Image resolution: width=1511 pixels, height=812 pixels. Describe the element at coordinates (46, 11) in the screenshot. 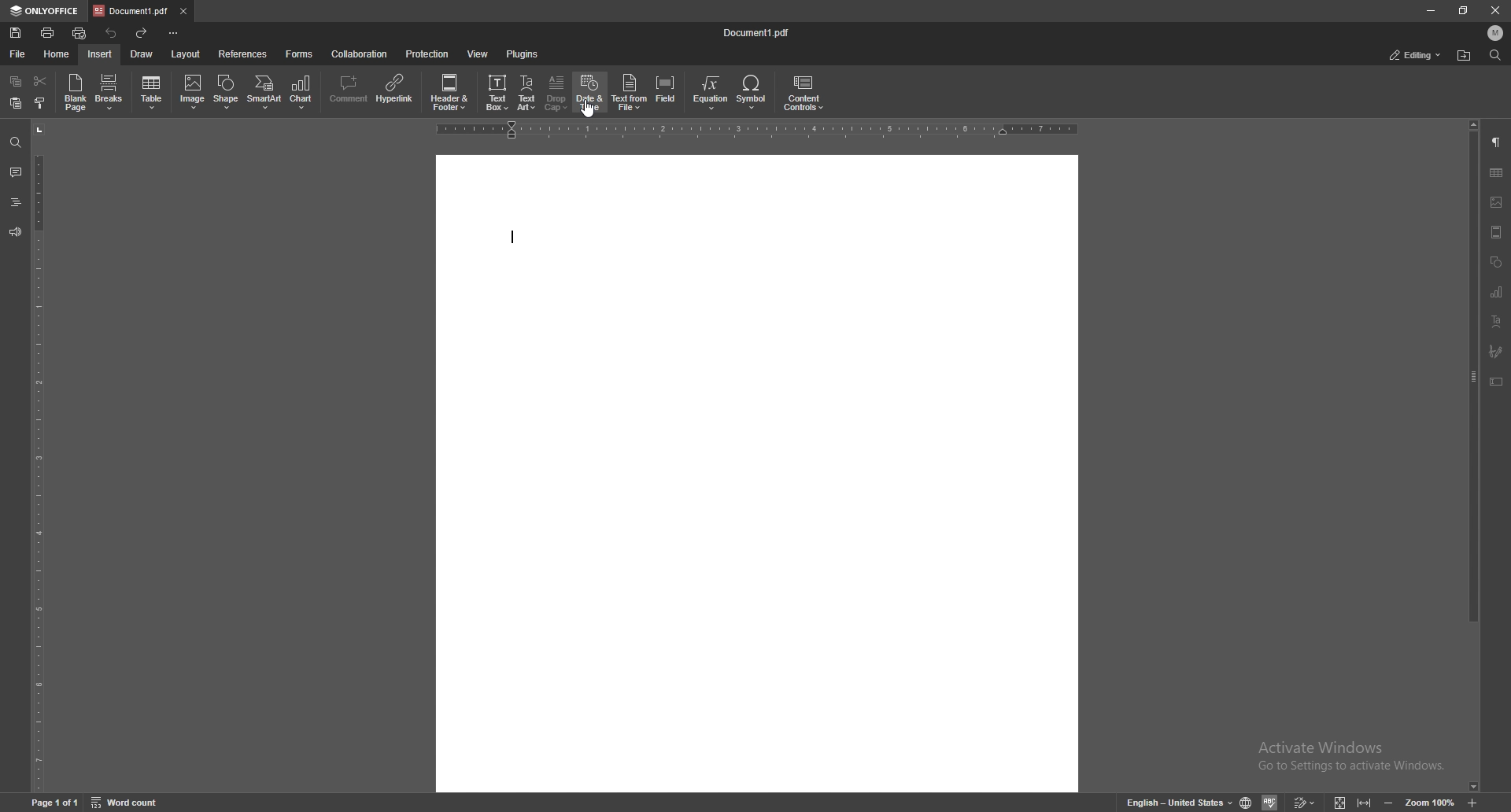

I see `onlyoffice` at that location.